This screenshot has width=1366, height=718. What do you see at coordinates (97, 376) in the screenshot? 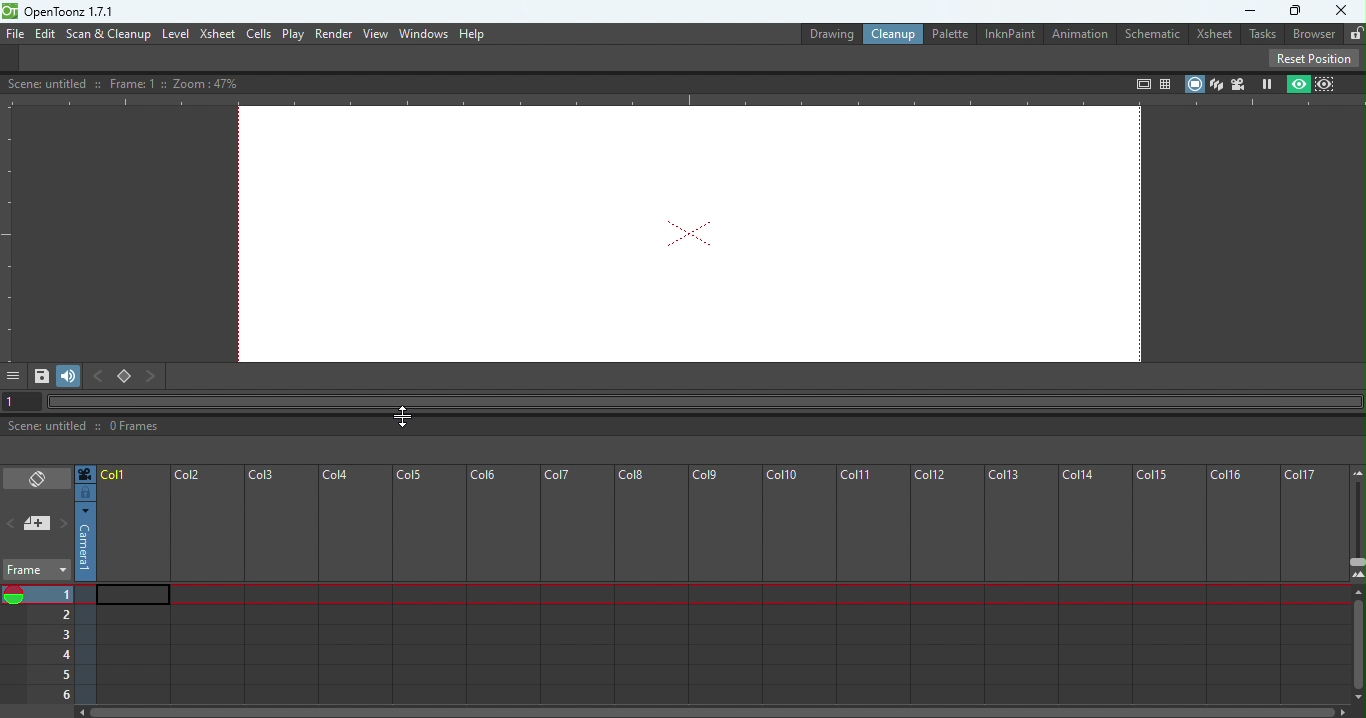
I see `Previous key` at bounding box center [97, 376].